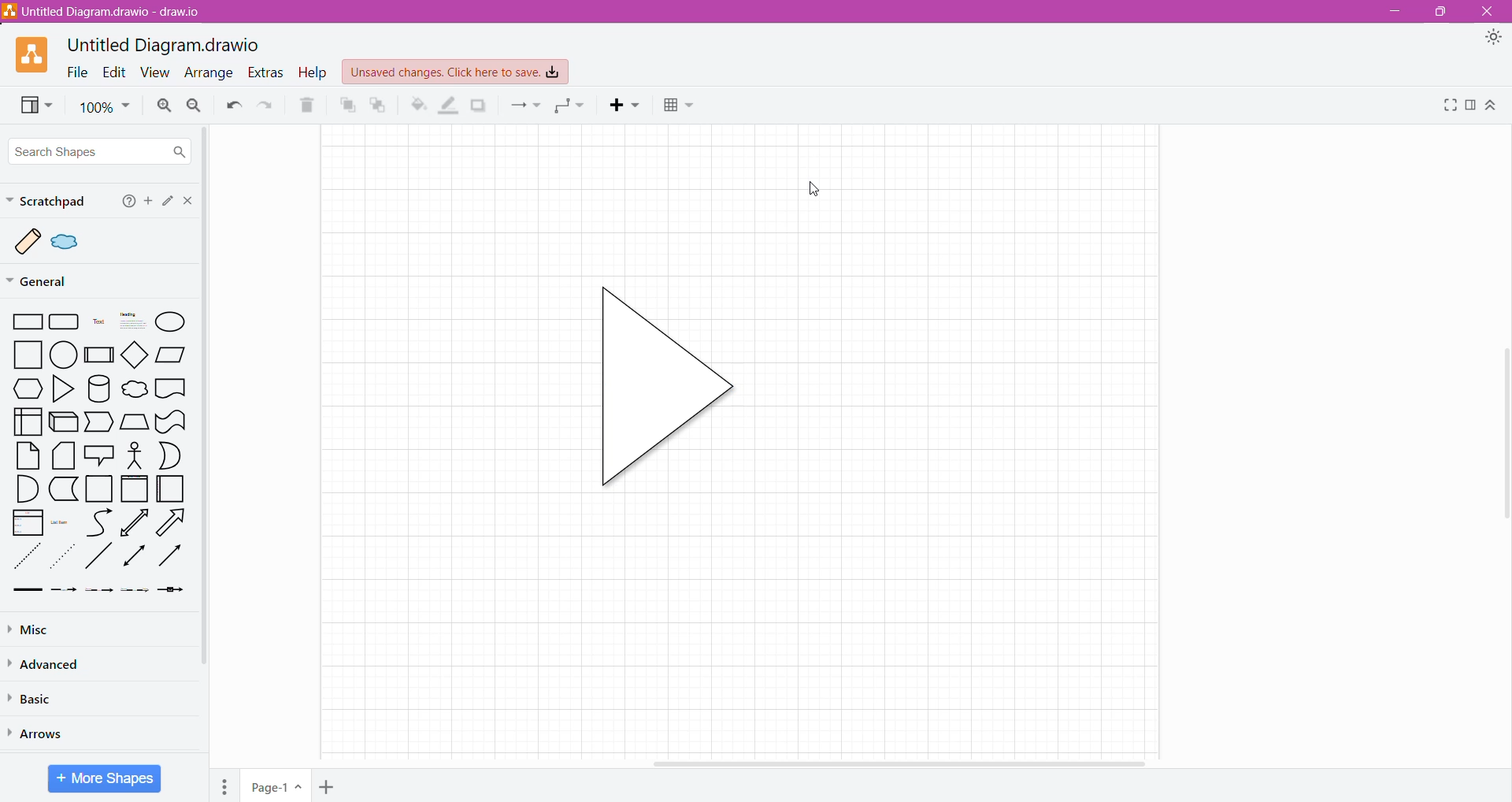  What do you see at coordinates (164, 46) in the screenshot?
I see `Untitled Diagram.draw.io` at bounding box center [164, 46].